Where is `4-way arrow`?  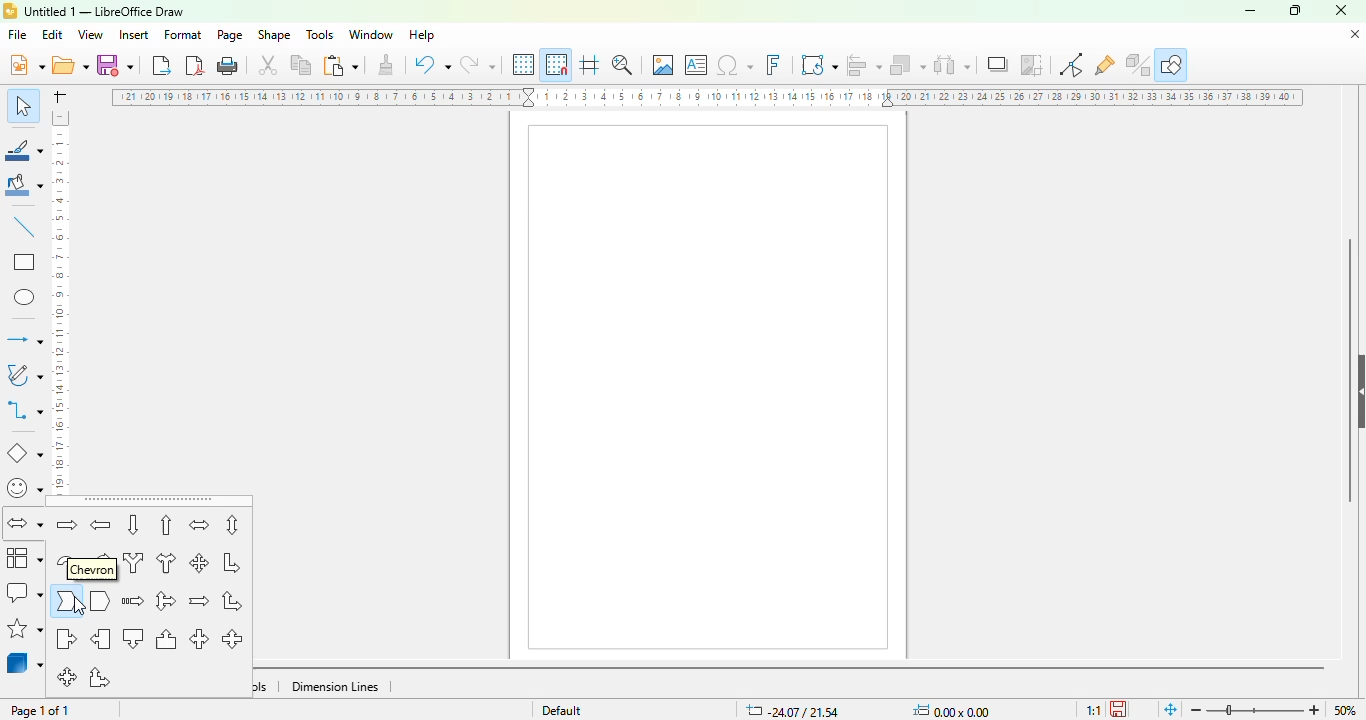 4-way arrow is located at coordinates (199, 563).